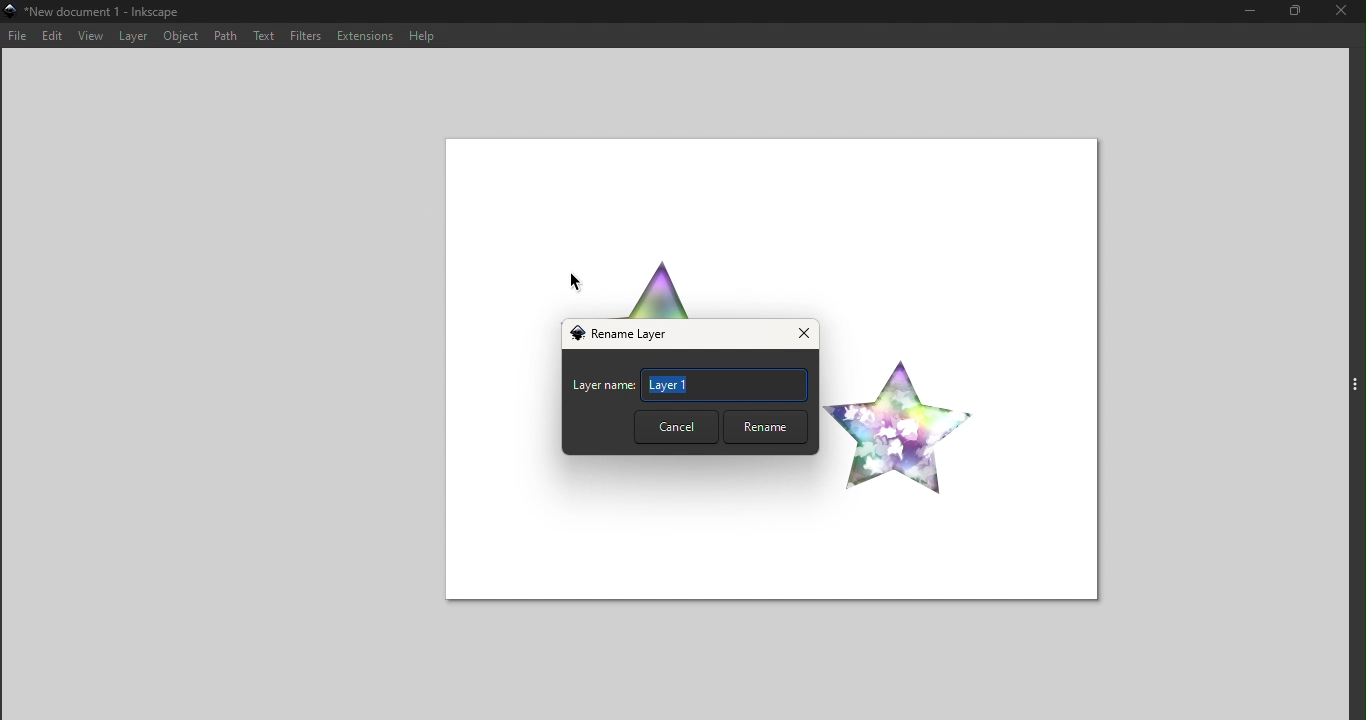 The height and width of the screenshot is (720, 1366). I want to click on Cancel, so click(675, 427).